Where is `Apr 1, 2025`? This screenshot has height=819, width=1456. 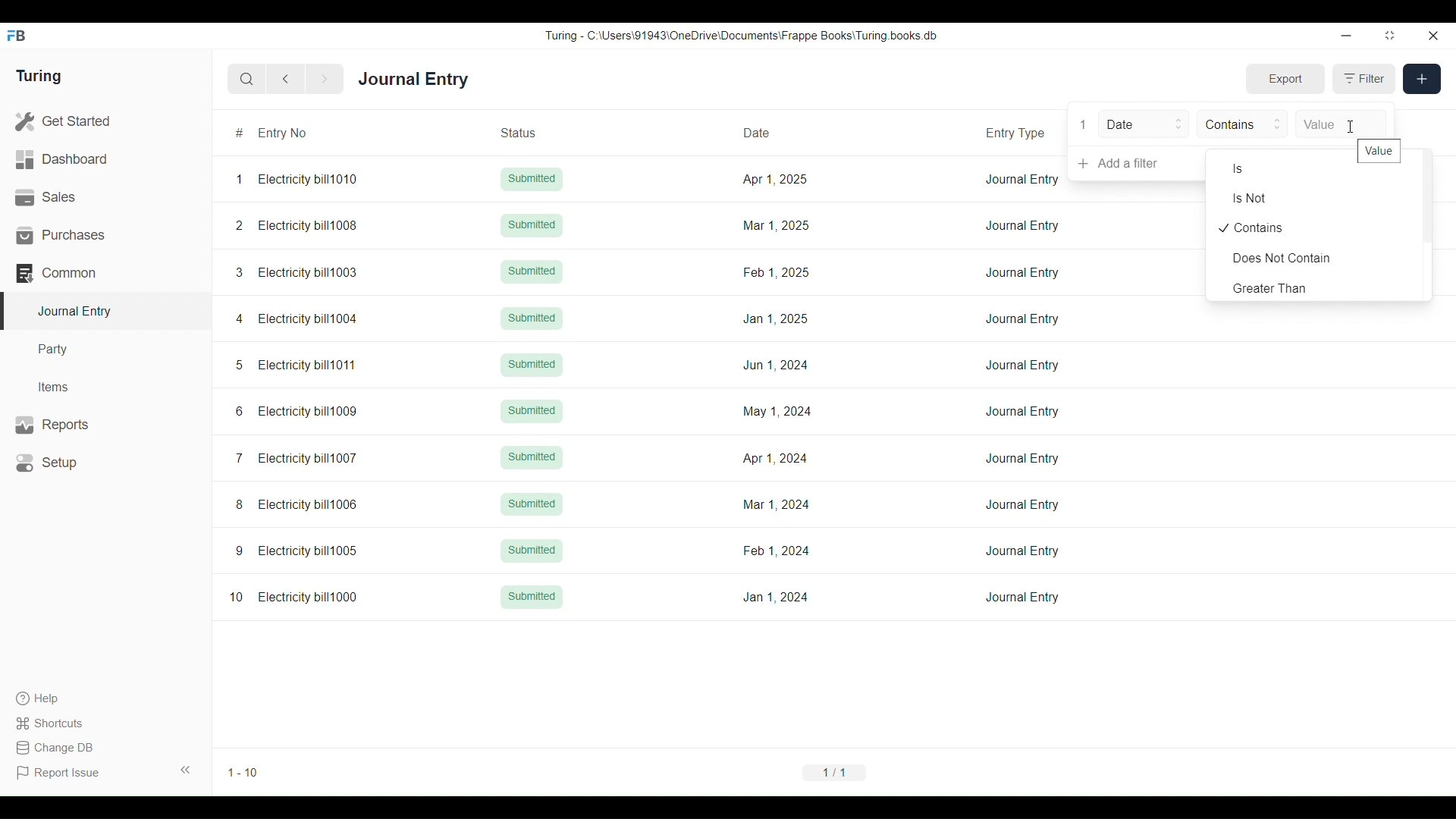 Apr 1, 2025 is located at coordinates (774, 178).